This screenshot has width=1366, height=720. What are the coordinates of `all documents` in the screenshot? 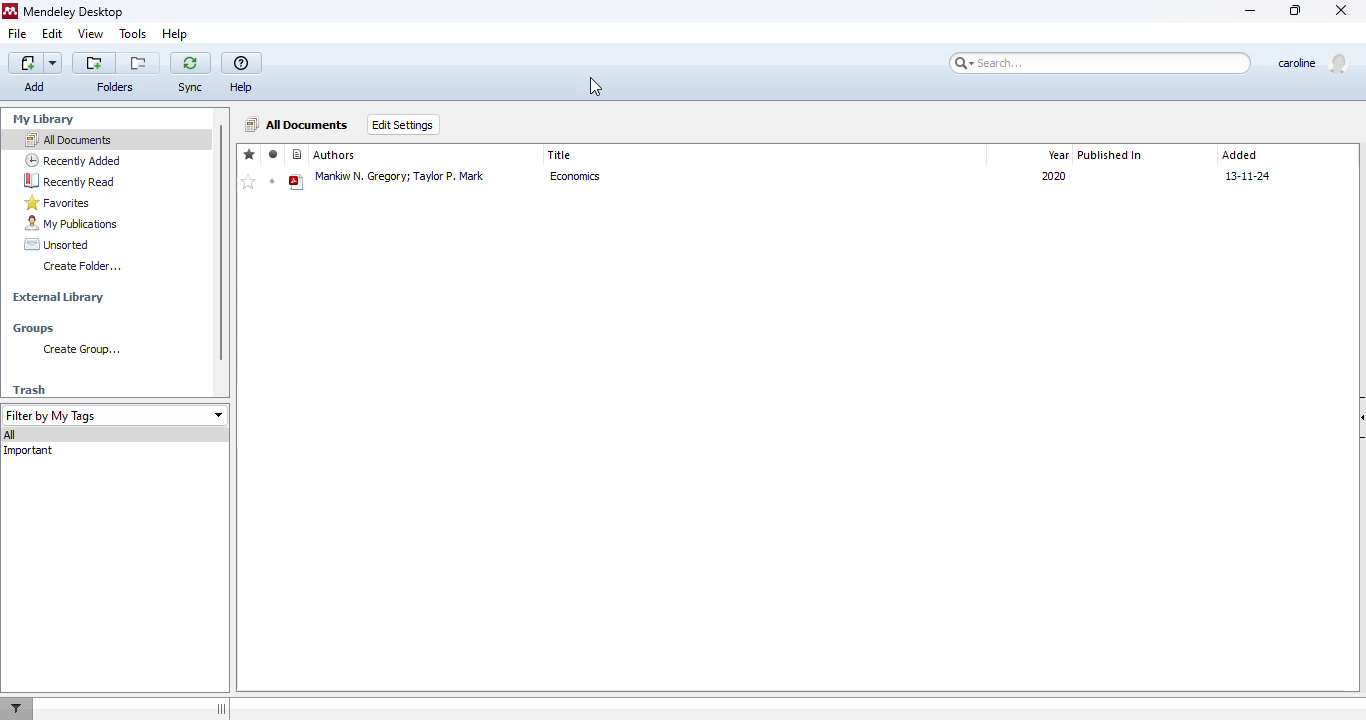 It's located at (298, 124).